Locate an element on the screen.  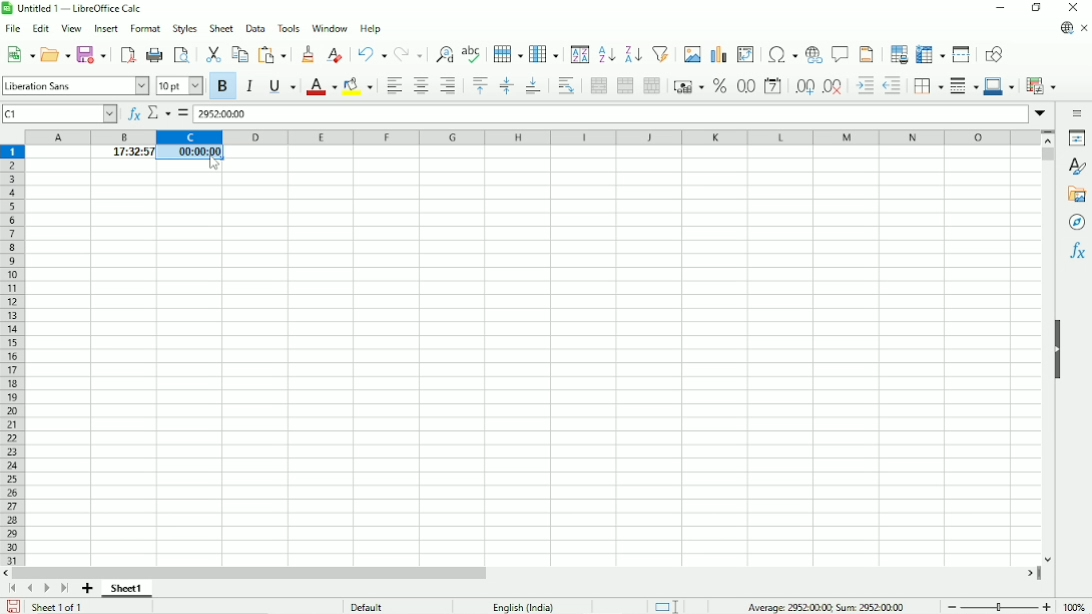
Styles is located at coordinates (1076, 165).